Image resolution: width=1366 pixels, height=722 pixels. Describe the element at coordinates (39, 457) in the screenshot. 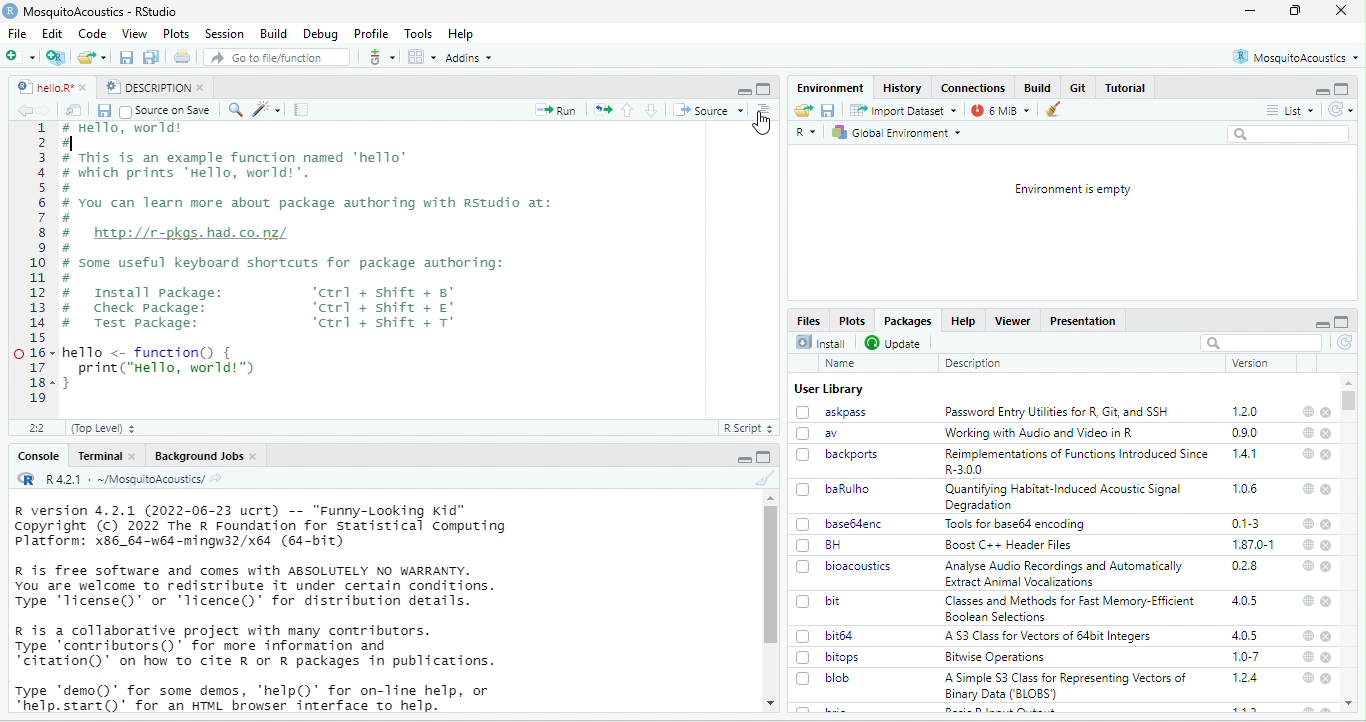

I see `Console` at that location.